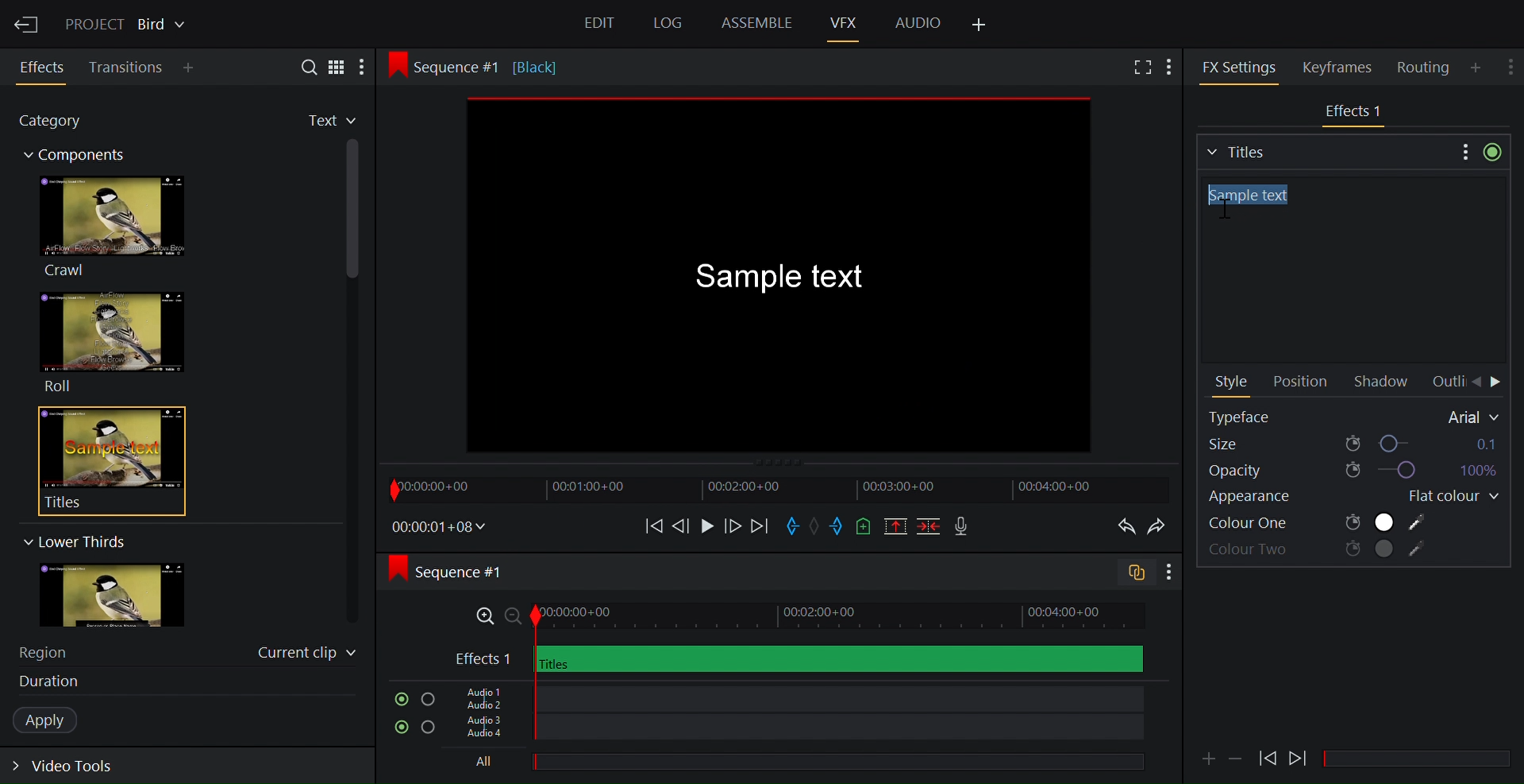  I want to click on All, so click(790, 763).